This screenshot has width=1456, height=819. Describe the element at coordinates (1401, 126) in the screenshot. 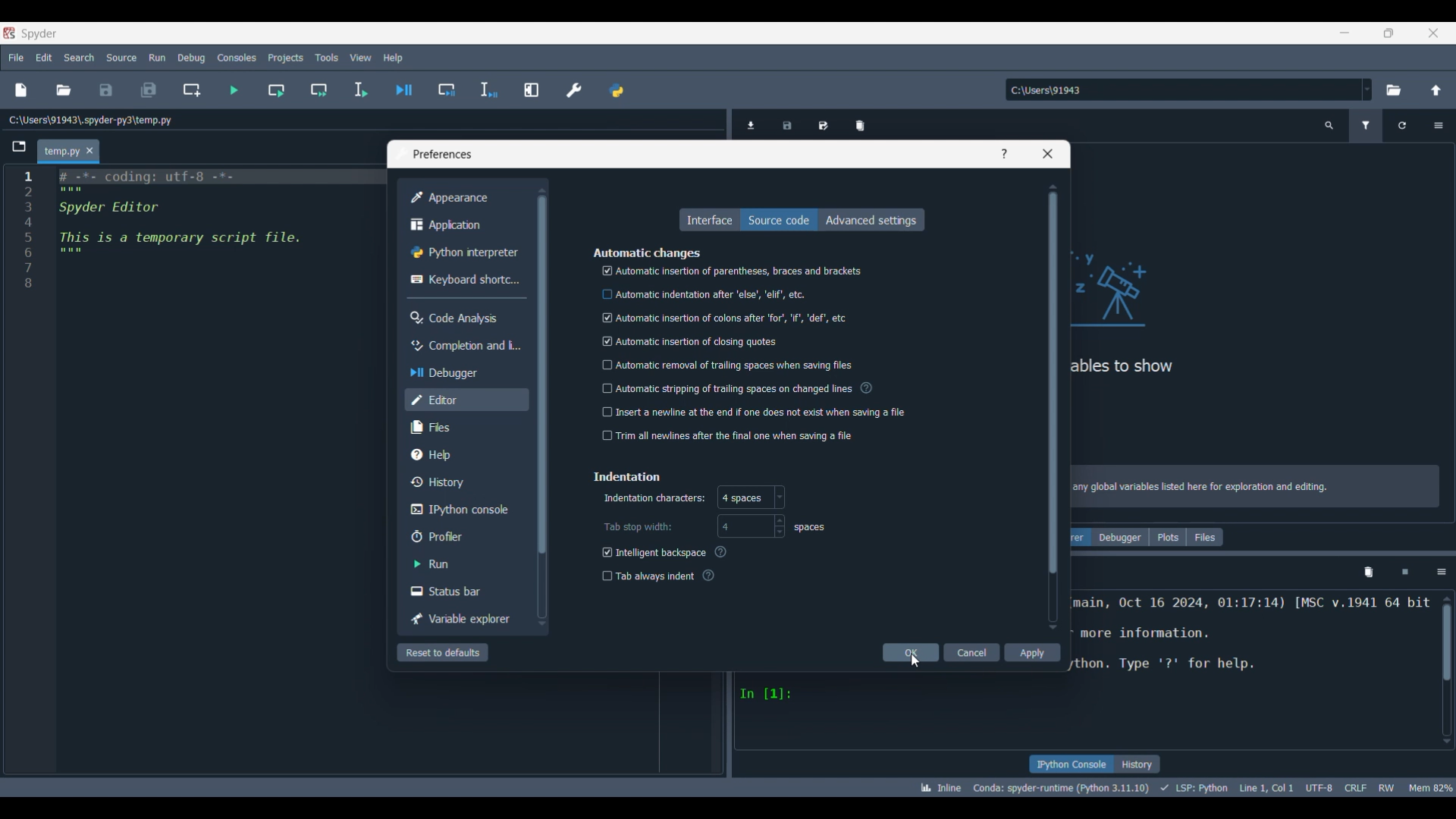

I see `Refresh variables` at that location.